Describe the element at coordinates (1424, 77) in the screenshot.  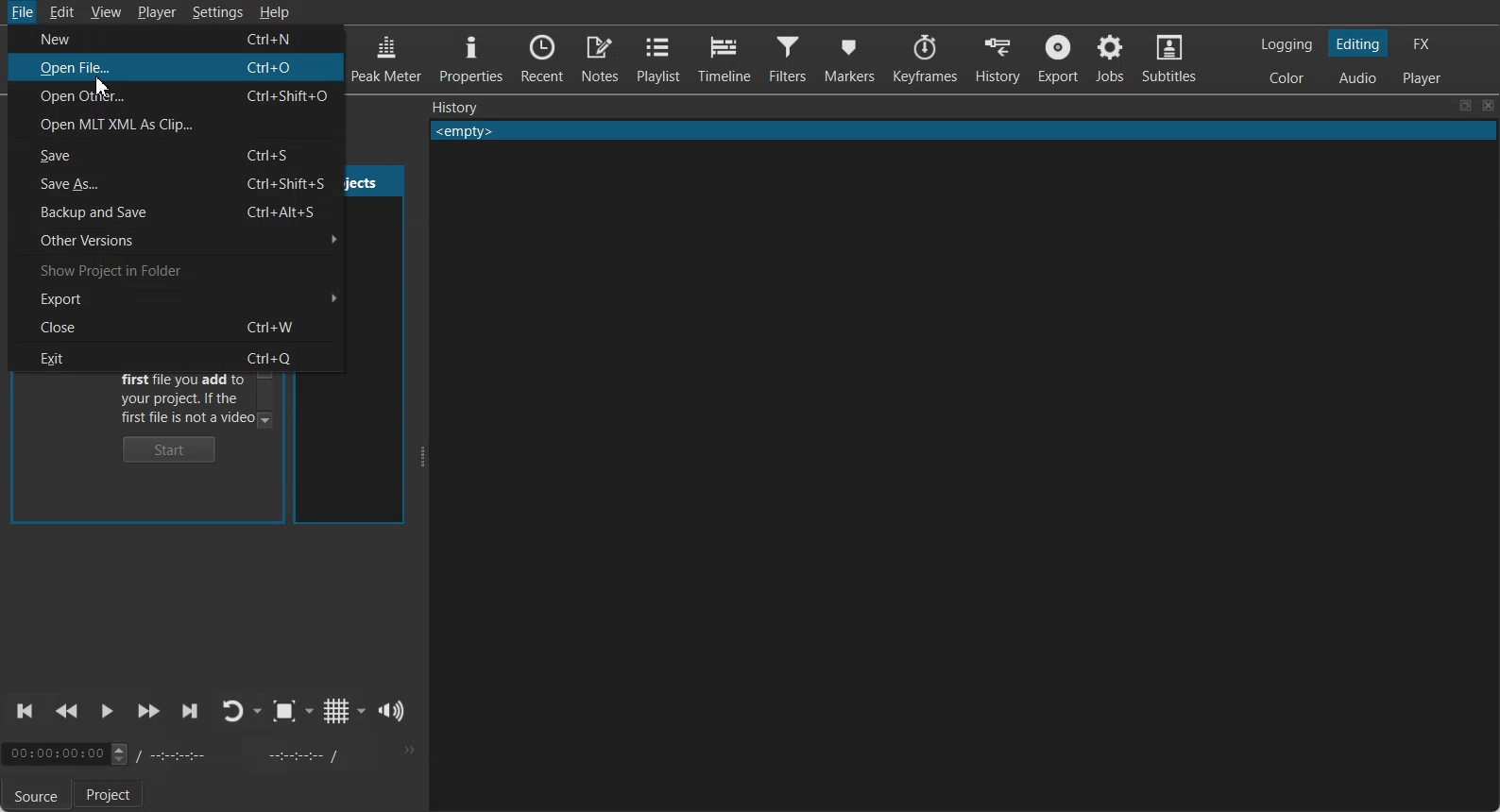
I see `Switching to Player Only Layout` at that location.